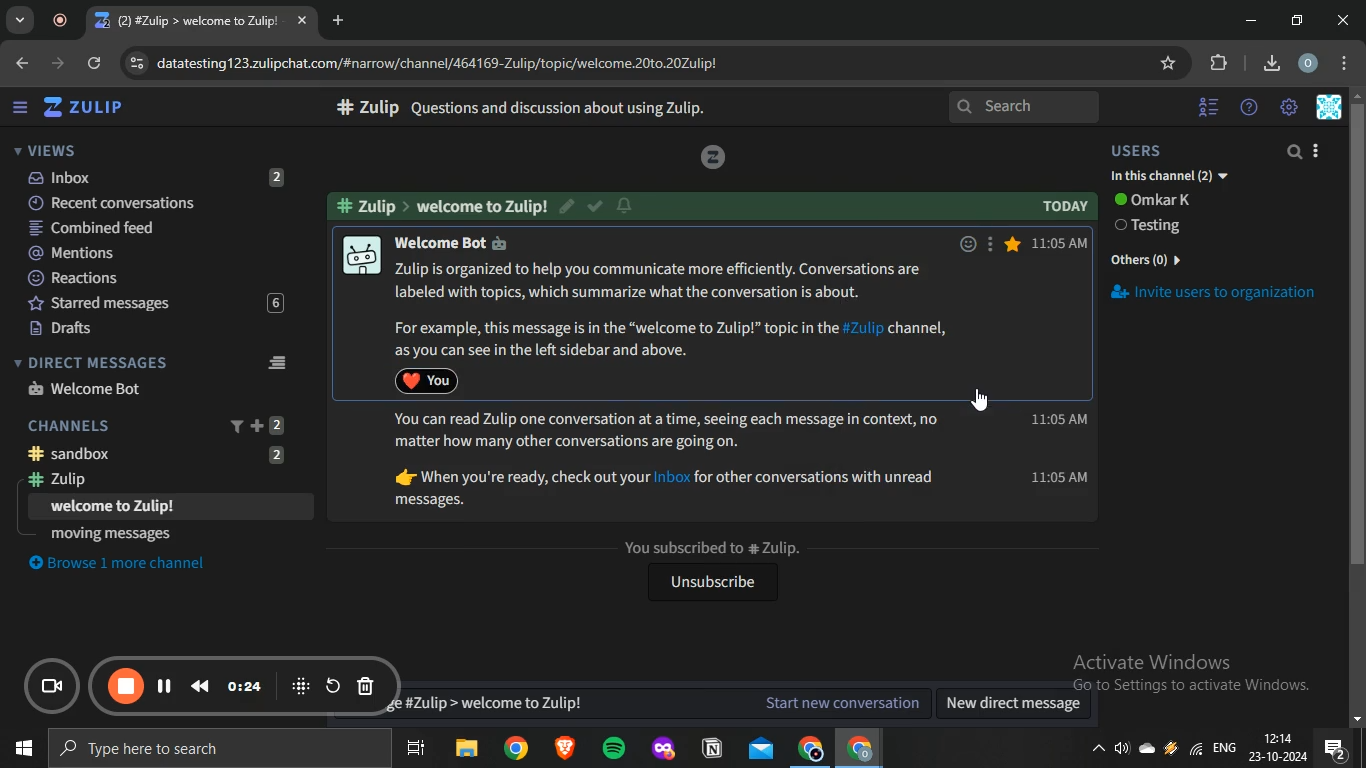 This screenshot has height=768, width=1366. I want to click on time, so click(1058, 366).